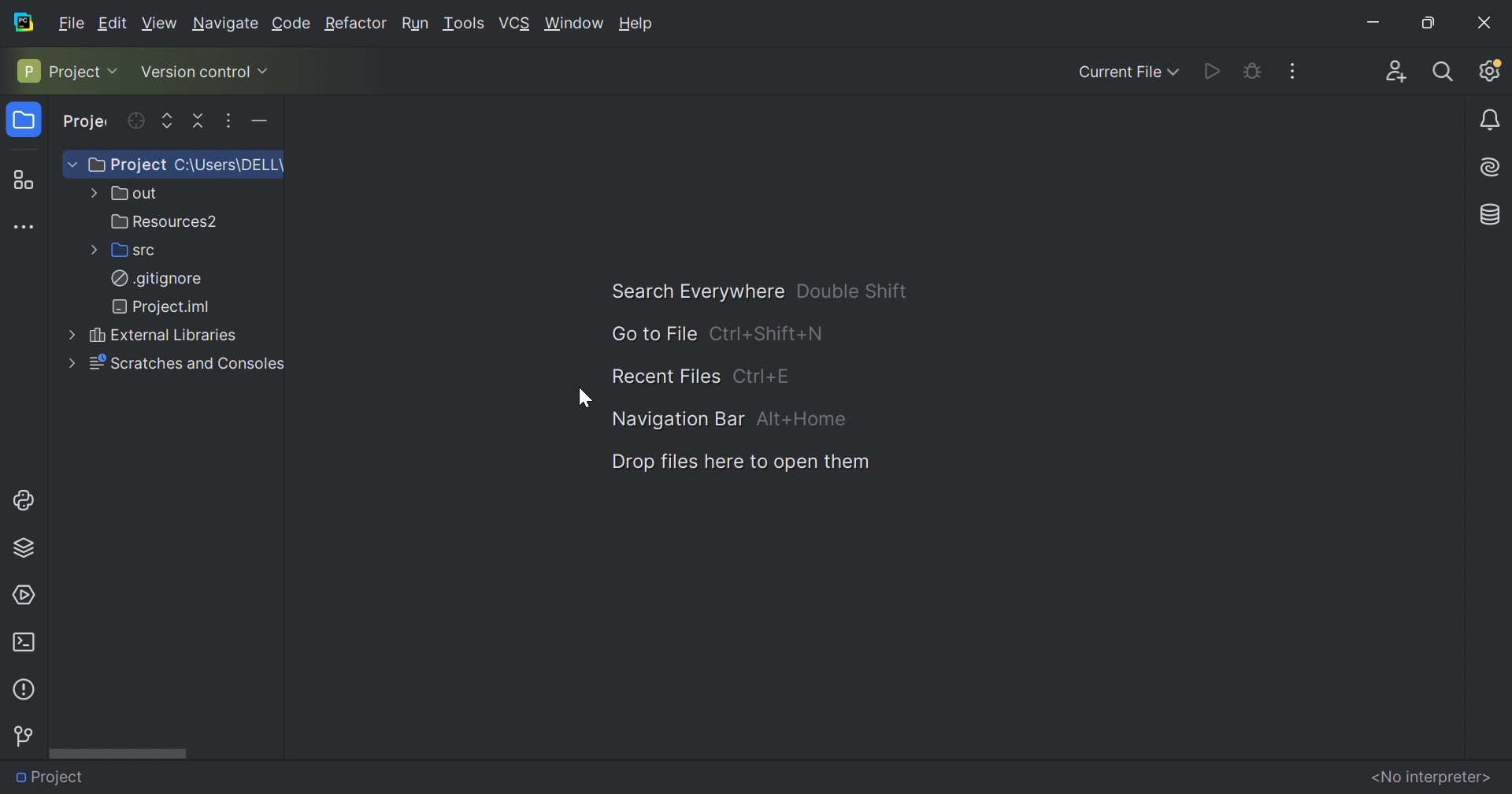  What do you see at coordinates (116, 23) in the screenshot?
I see `Edit` at bounding box center [116, 23].